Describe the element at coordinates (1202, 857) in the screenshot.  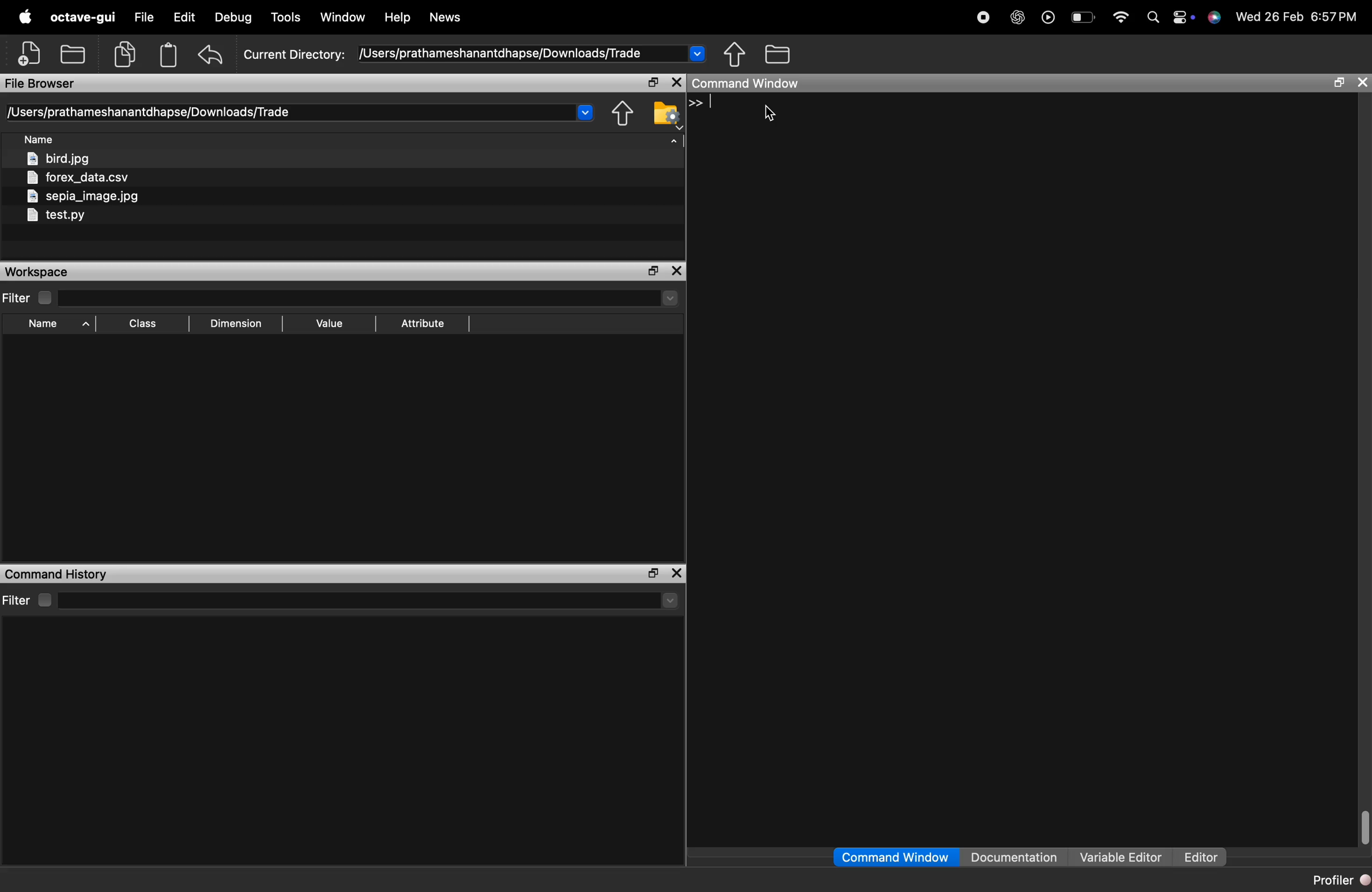
I see `editor` at that location.